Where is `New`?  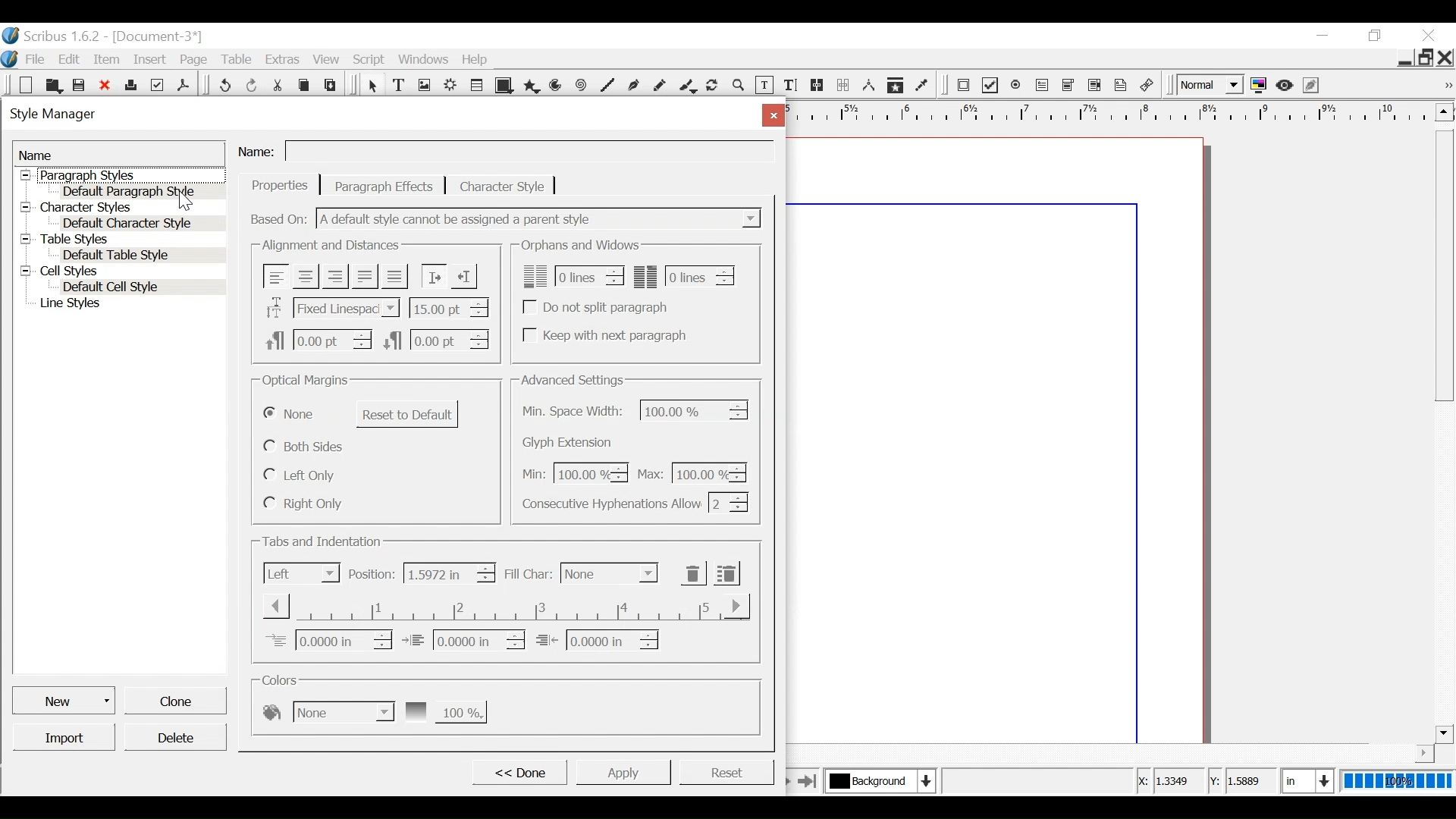 New is located at coordinates (27, 85).